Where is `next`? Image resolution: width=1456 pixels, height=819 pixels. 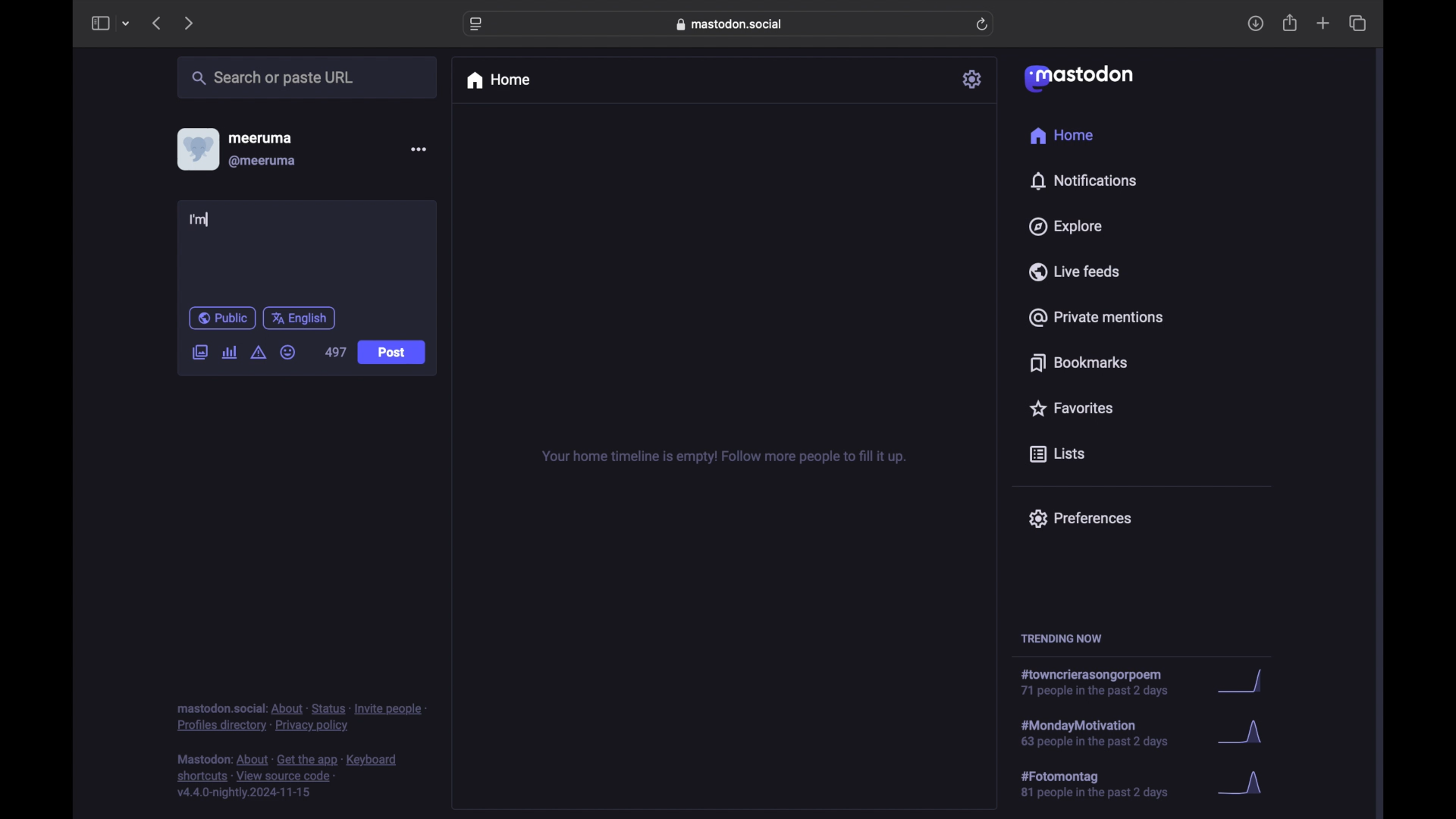 next is located at coordinates (188, 24).